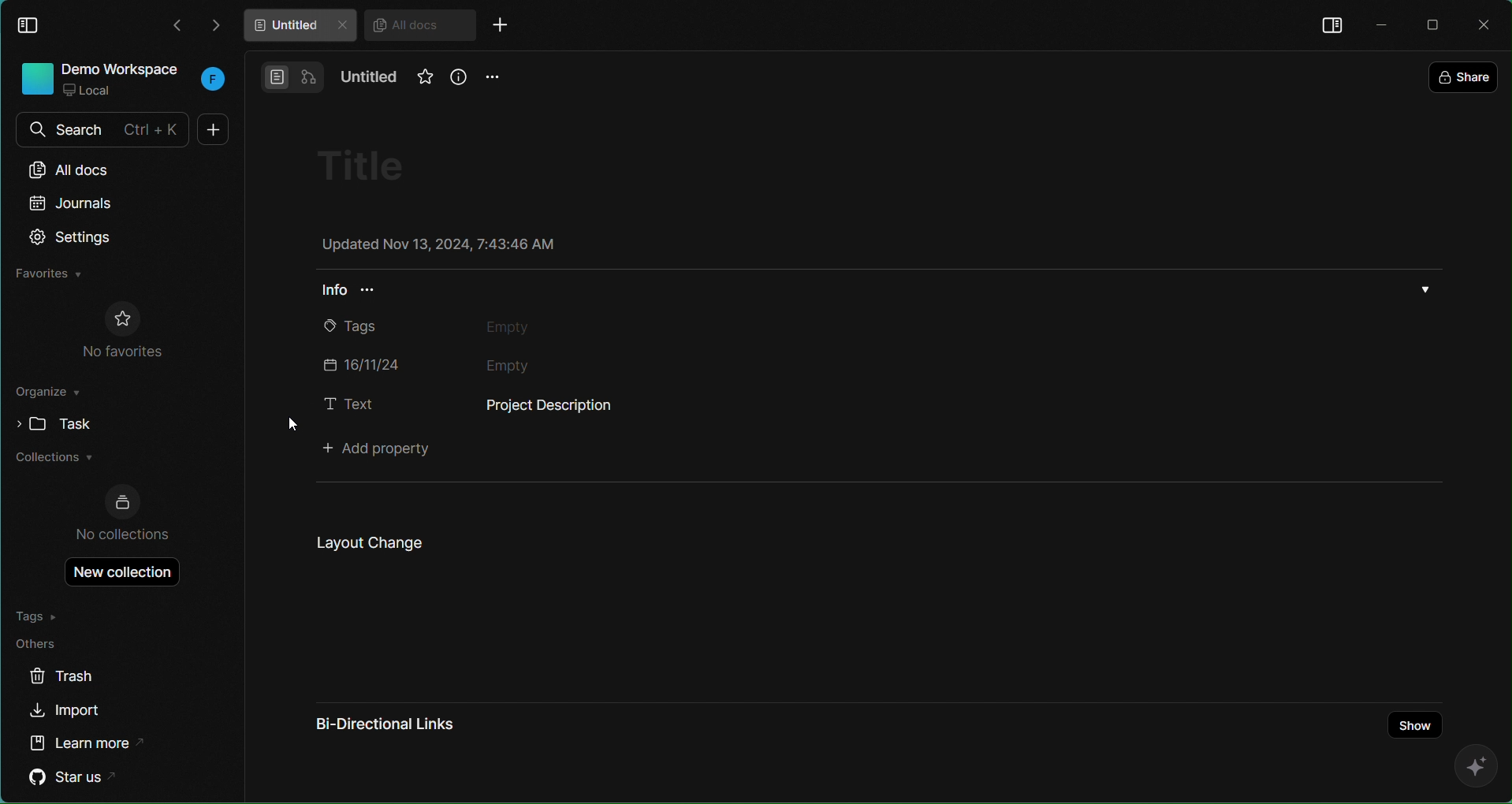 This screenshot has height=804, width=1512. I want to click on 1 Trash, so click(76, 677).